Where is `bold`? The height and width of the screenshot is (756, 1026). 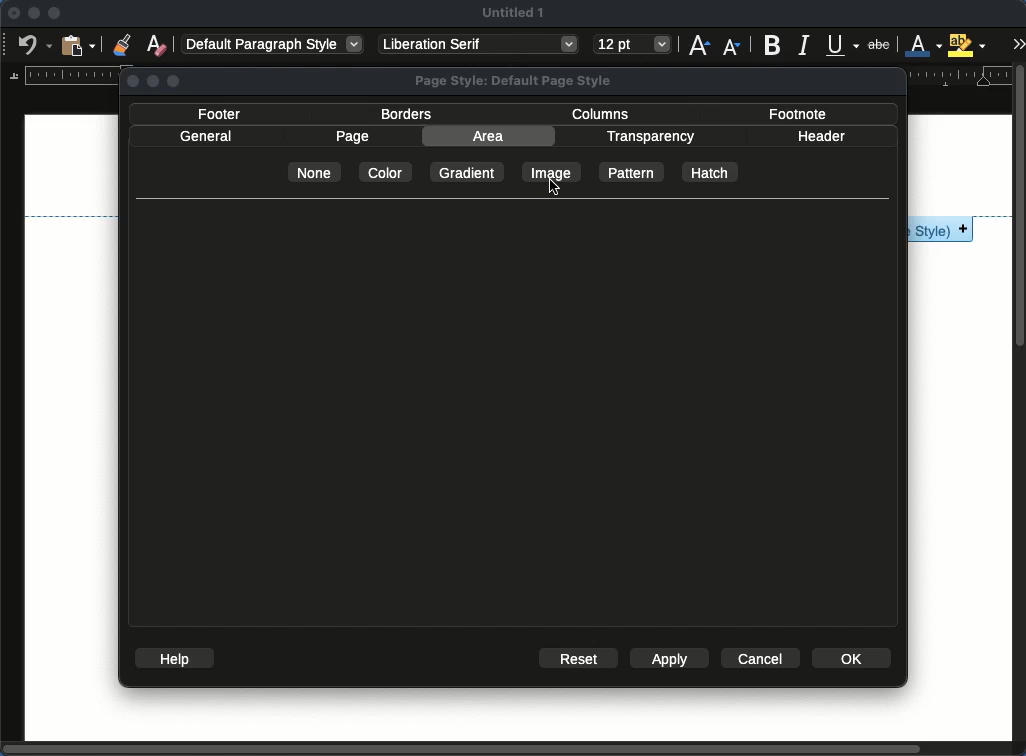 bold is located at coordinates (772, 44).